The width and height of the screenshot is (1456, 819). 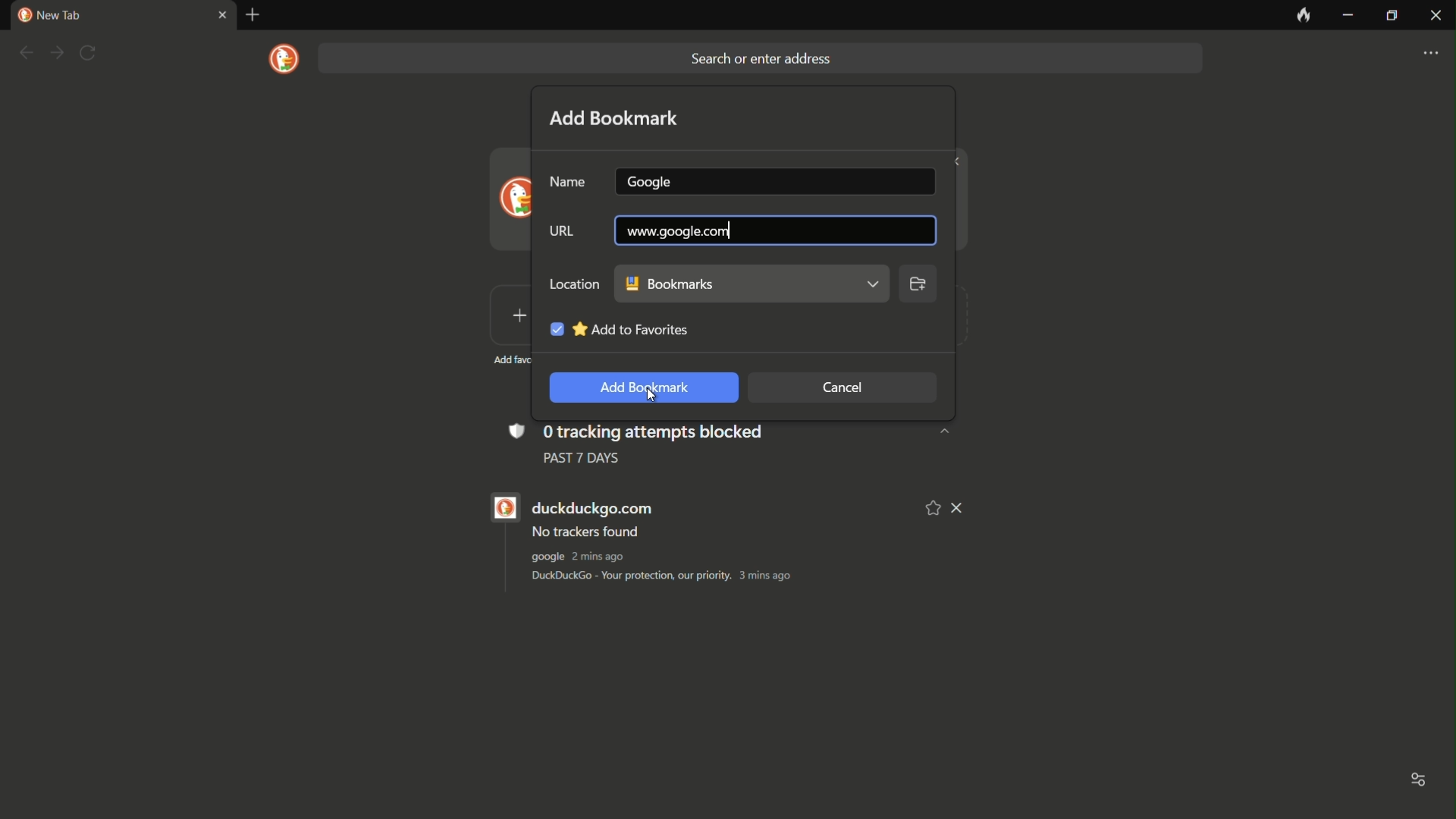 What do you see at coordinates (1435, 16) in the screenshot?
I see `close app` at bounding box center [1435, 16].